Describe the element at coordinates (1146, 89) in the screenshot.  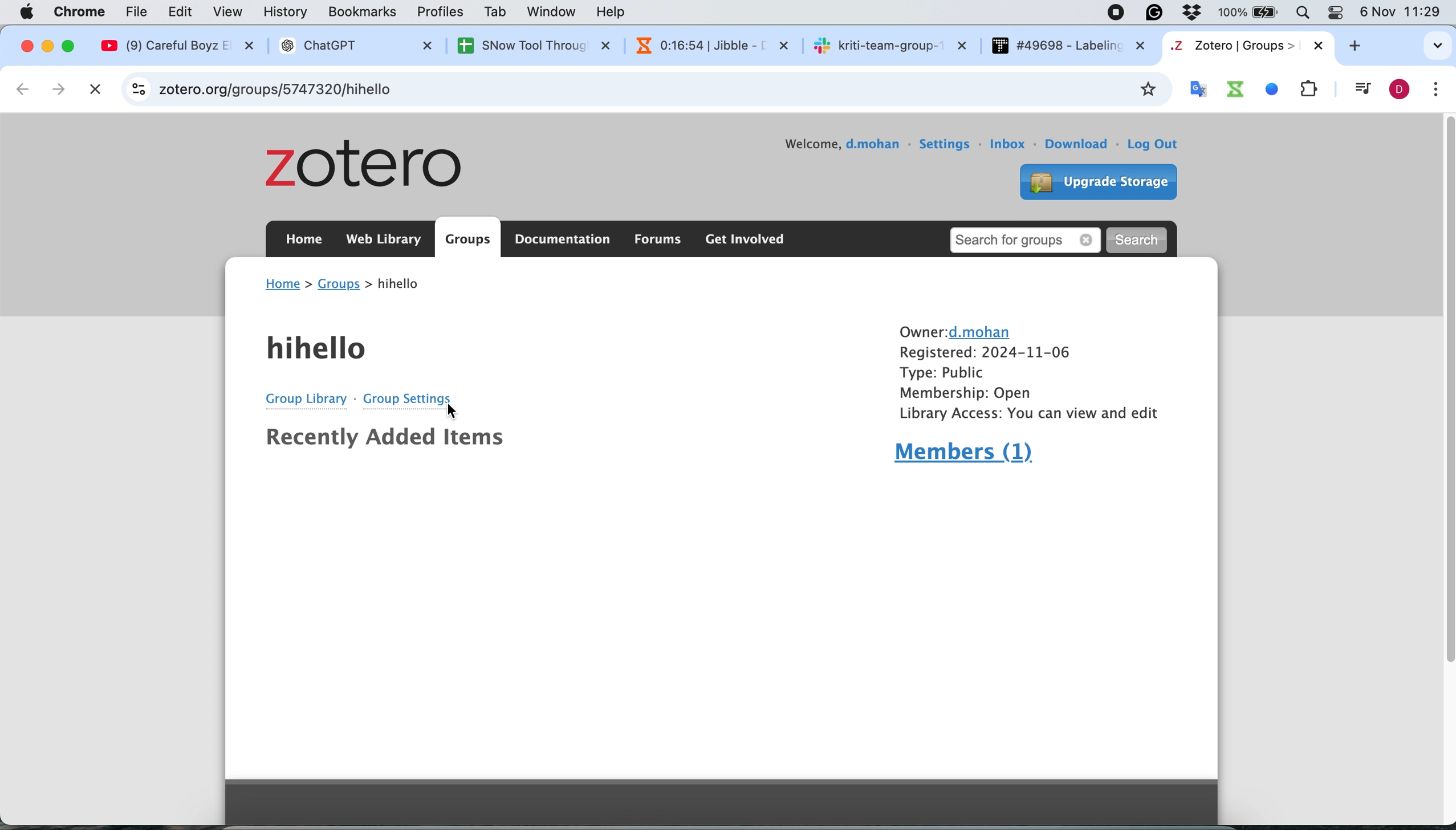
I see `bookmark` at that location.